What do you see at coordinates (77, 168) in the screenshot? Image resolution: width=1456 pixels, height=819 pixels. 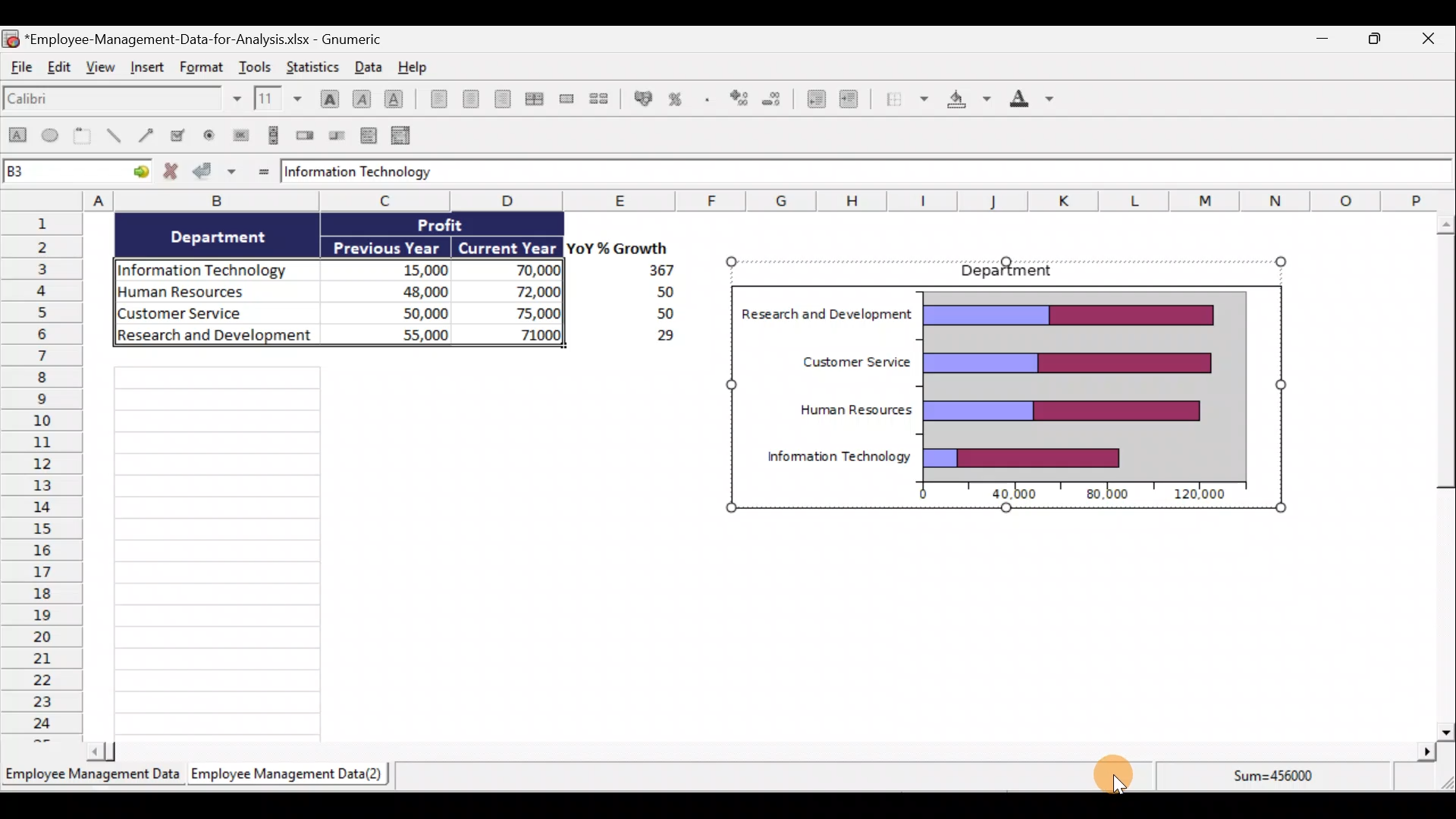 I see `Cell name` at bounding box center [77, 168].